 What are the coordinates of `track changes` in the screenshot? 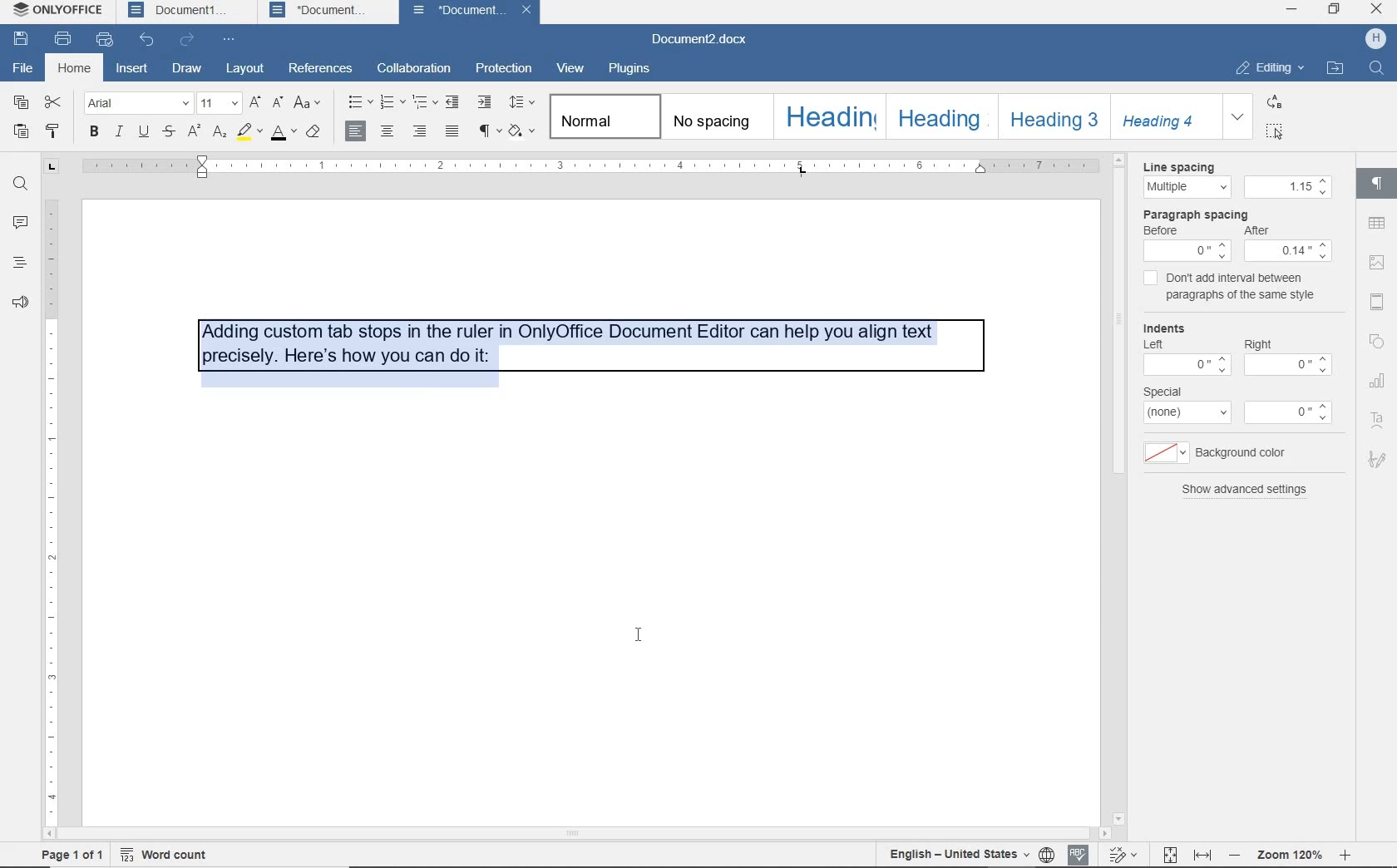 It's located at (958, 856).